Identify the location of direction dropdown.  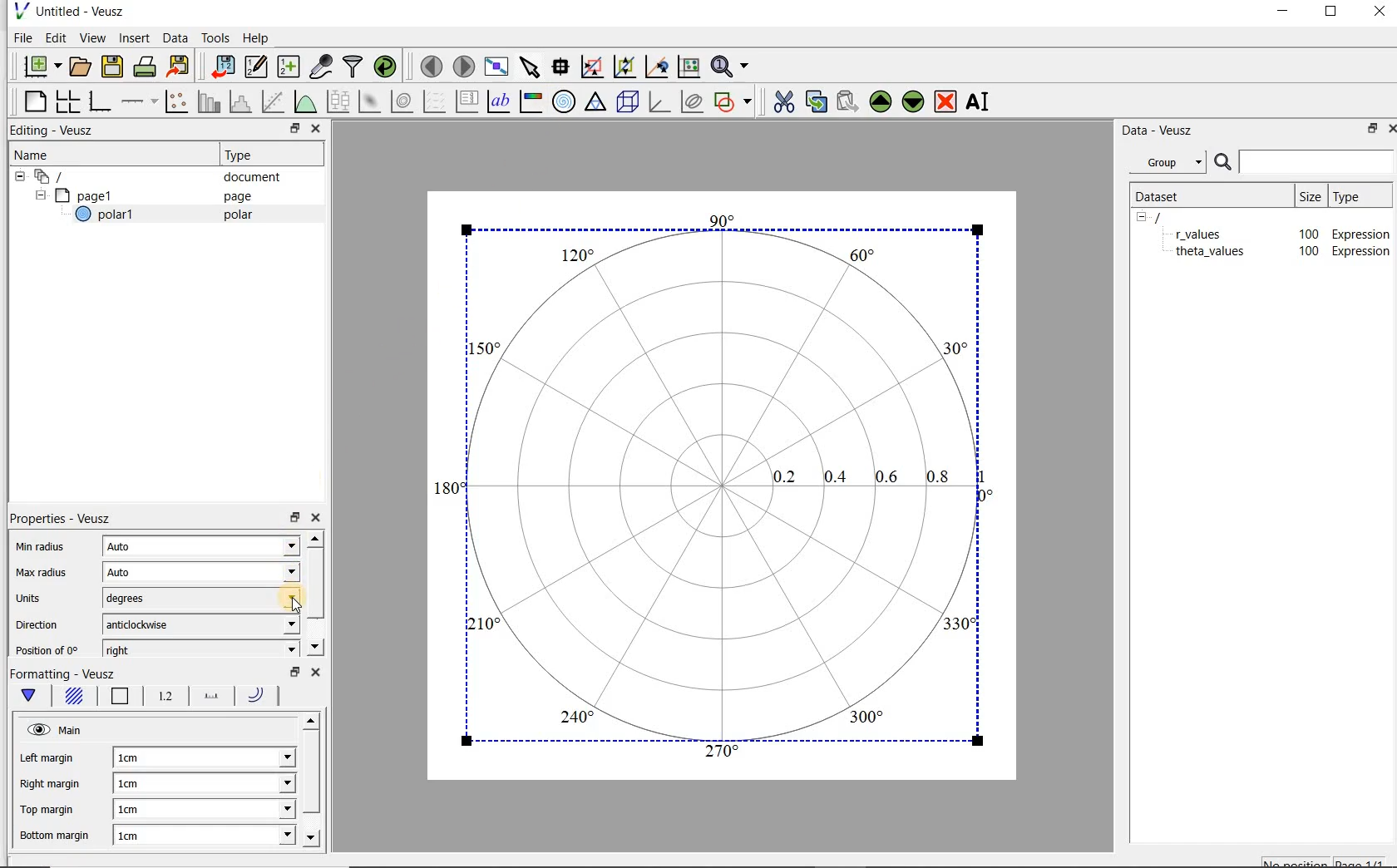
(269, 625).